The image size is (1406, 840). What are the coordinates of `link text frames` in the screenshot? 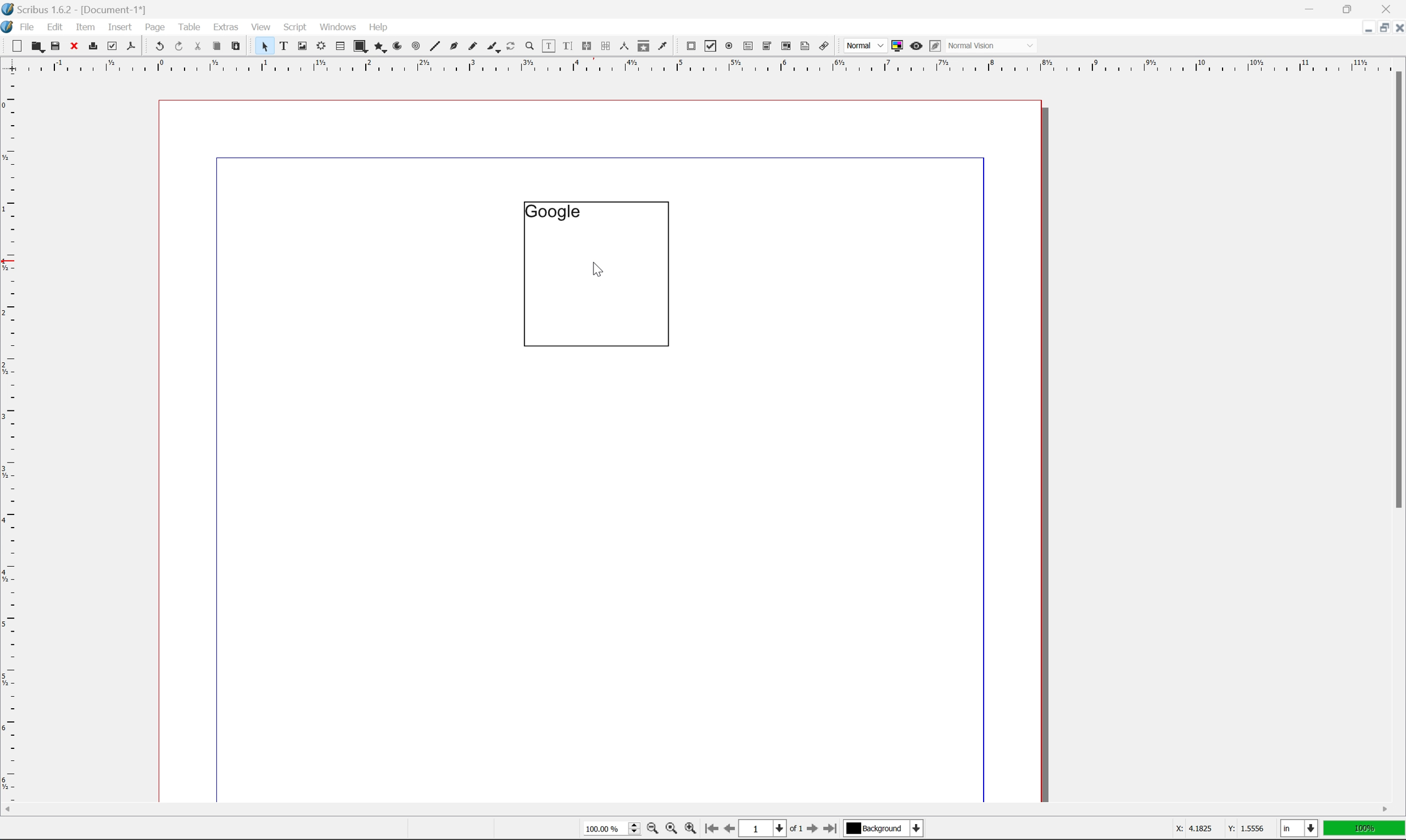 It's located at (585, 46).